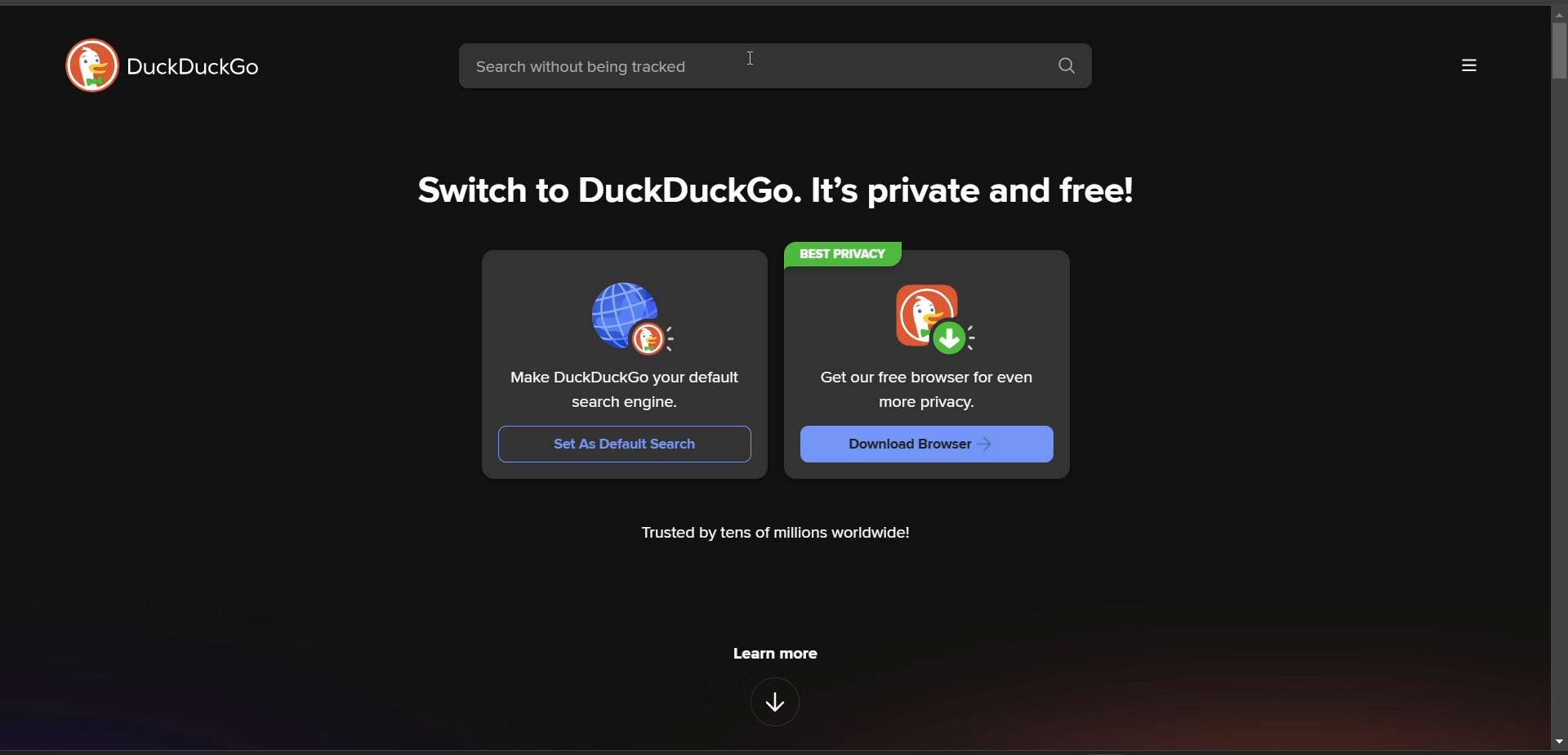 This screenshot has width=1568, height=755. I want to click on Set As Default Search, so click(620, 445).